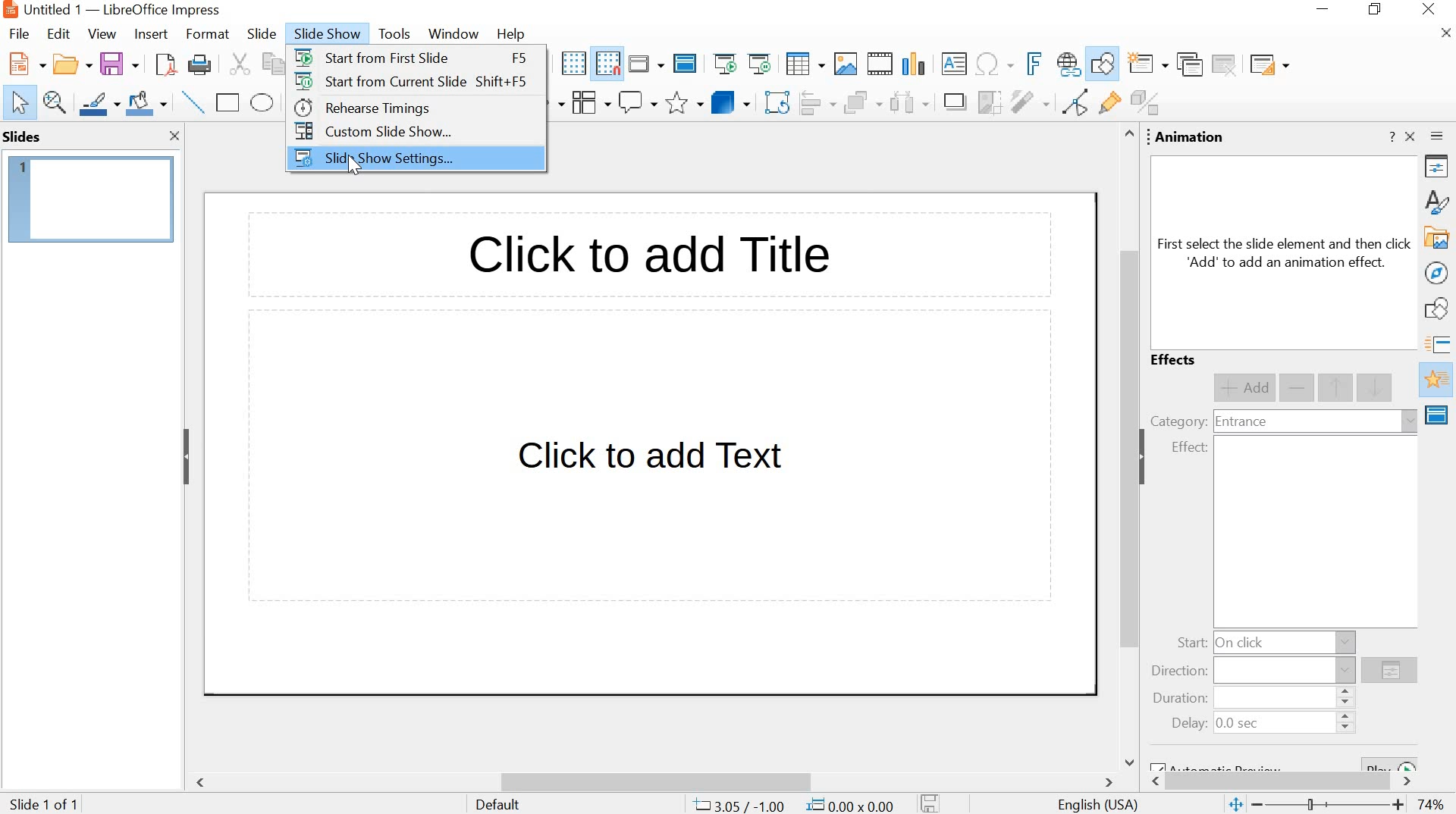 This screenshot has height=814, width=1456. I want to click on slide 1, so click(92, 199).